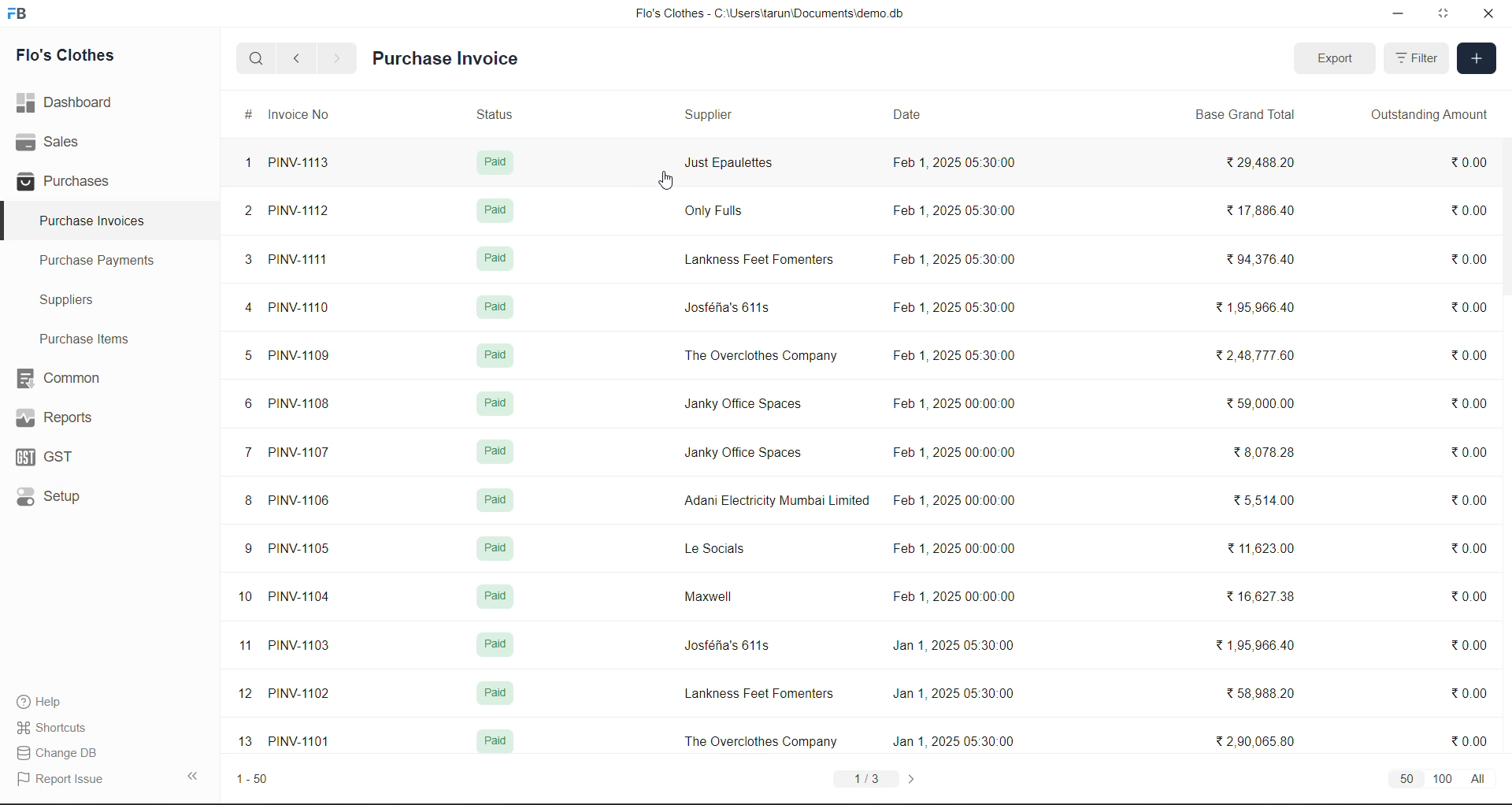  I want to click on ₹0.00, so click(1473, 598).